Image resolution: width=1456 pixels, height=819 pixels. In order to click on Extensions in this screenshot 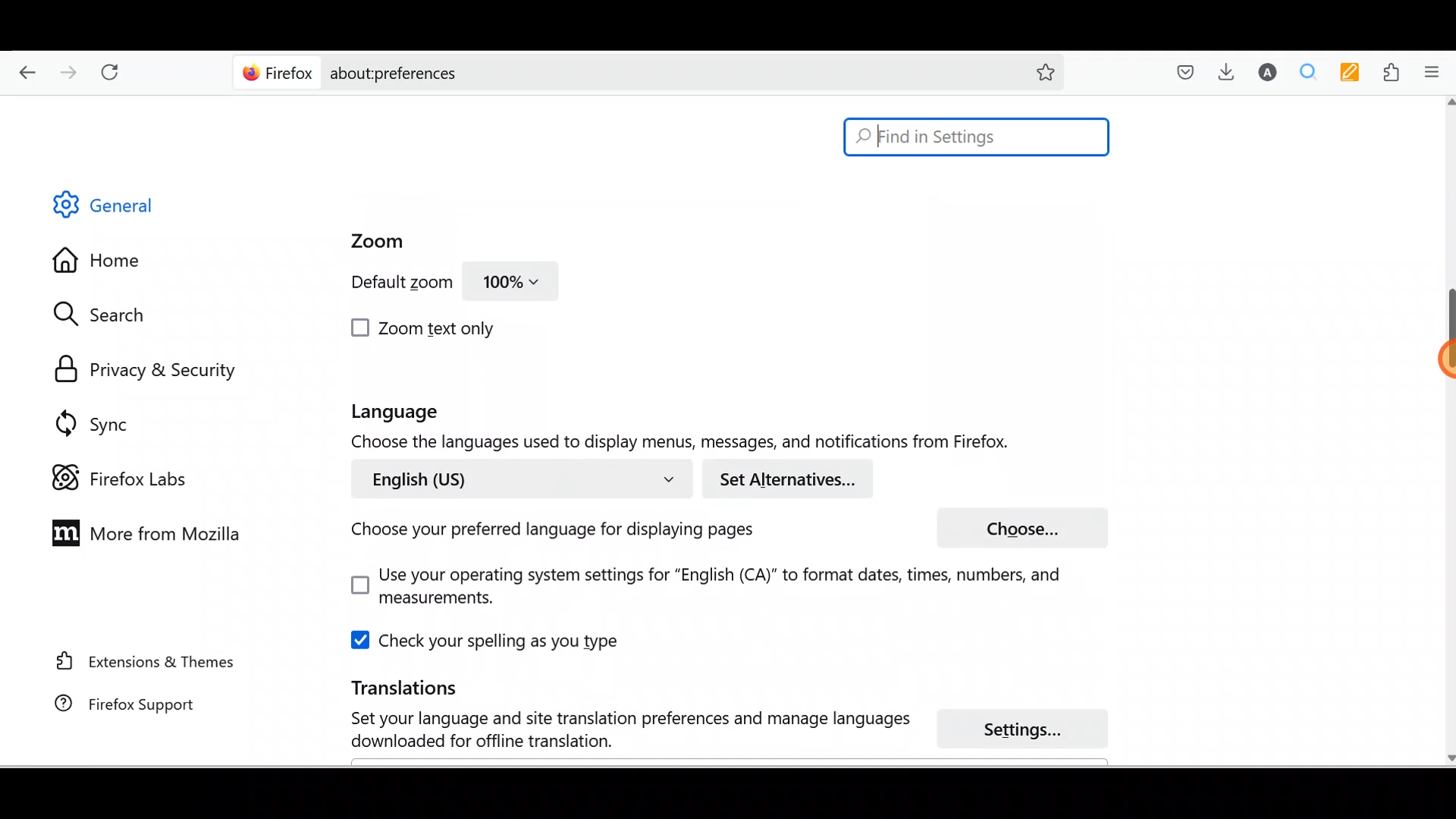, I will do `click(1395, 73)`.